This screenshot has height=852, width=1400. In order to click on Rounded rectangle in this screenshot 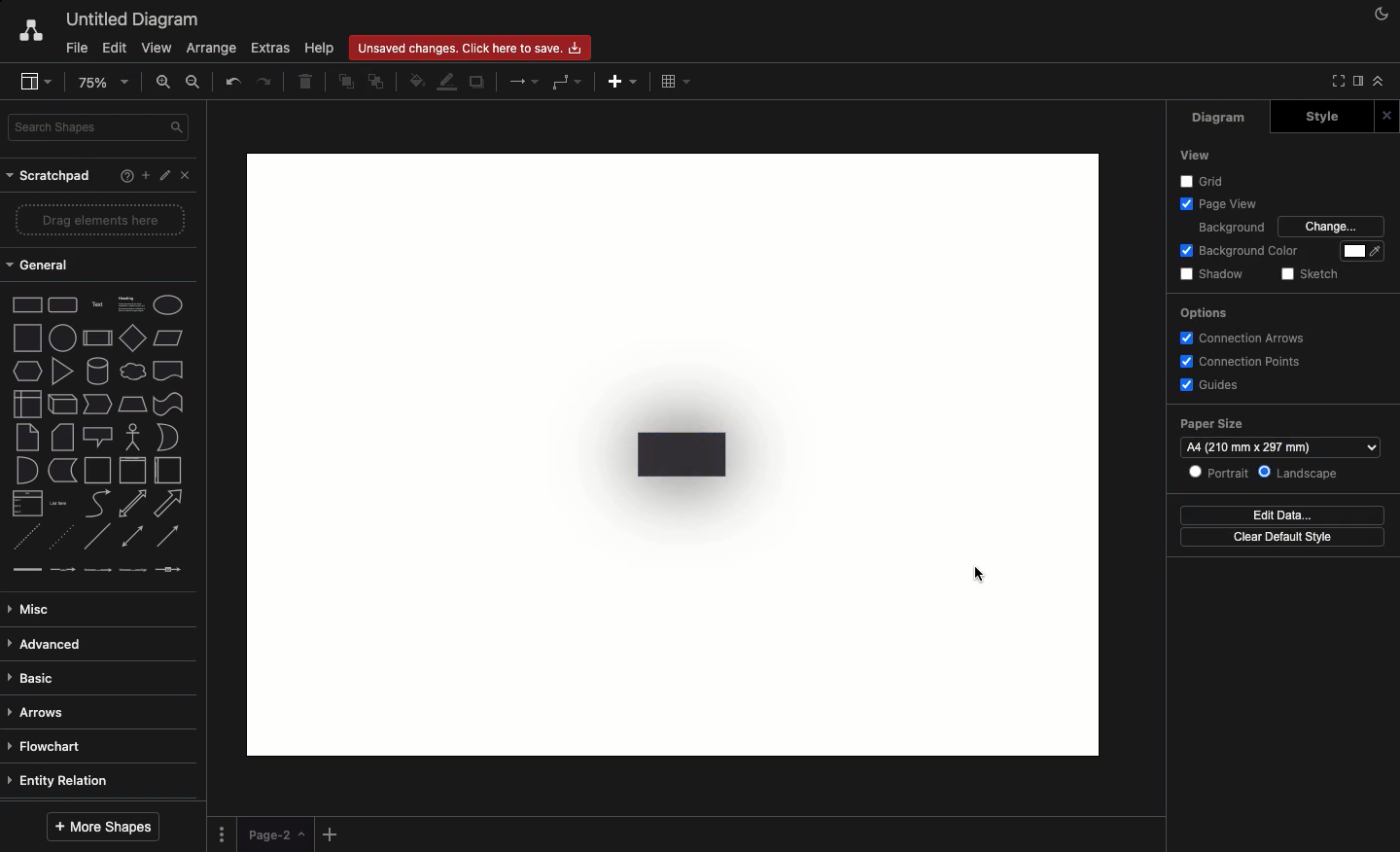, I will do `click(65, 306)`.